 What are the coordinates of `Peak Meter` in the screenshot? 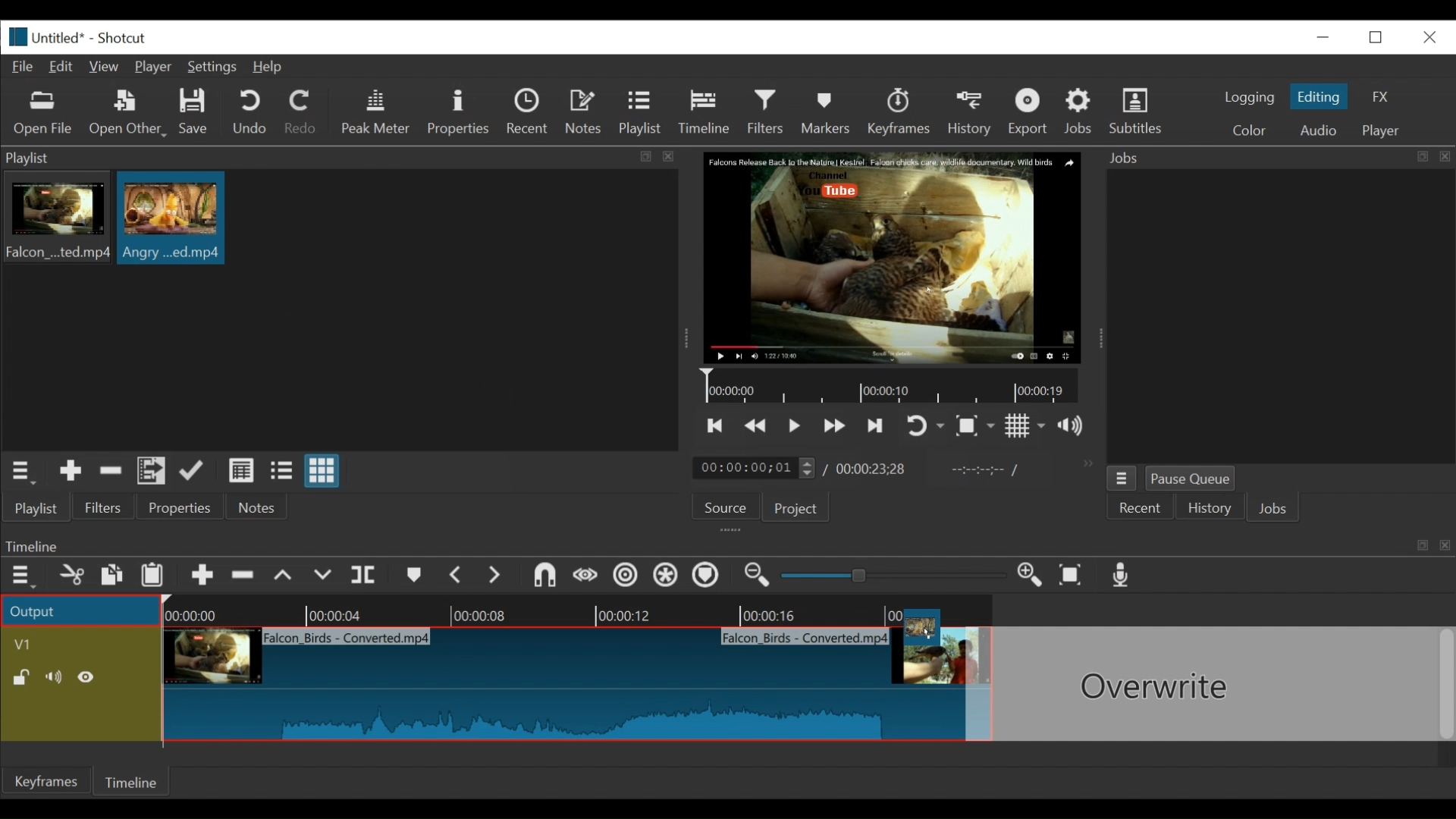 It's located at (378, 112).